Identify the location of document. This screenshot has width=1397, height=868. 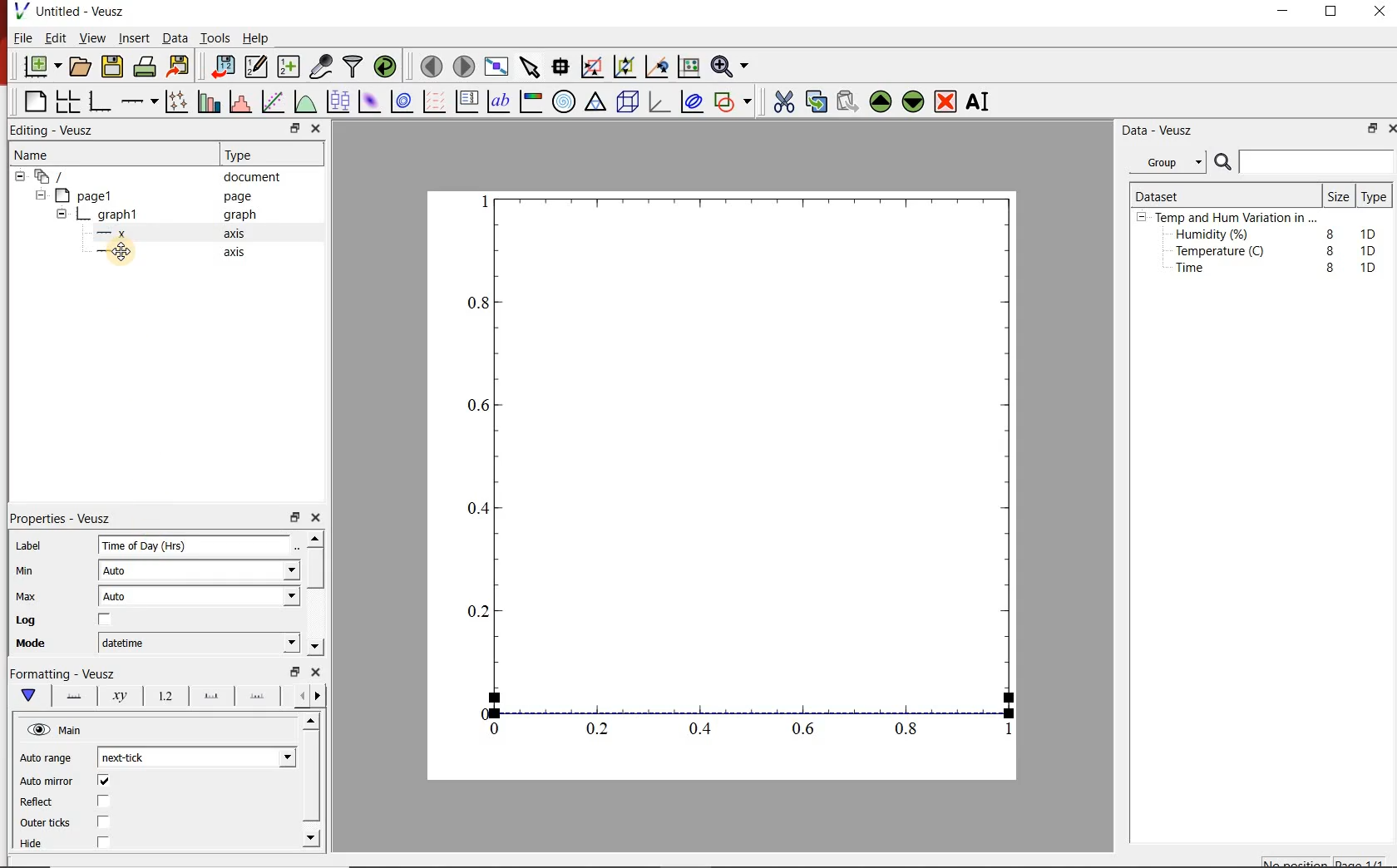
(258, 177).